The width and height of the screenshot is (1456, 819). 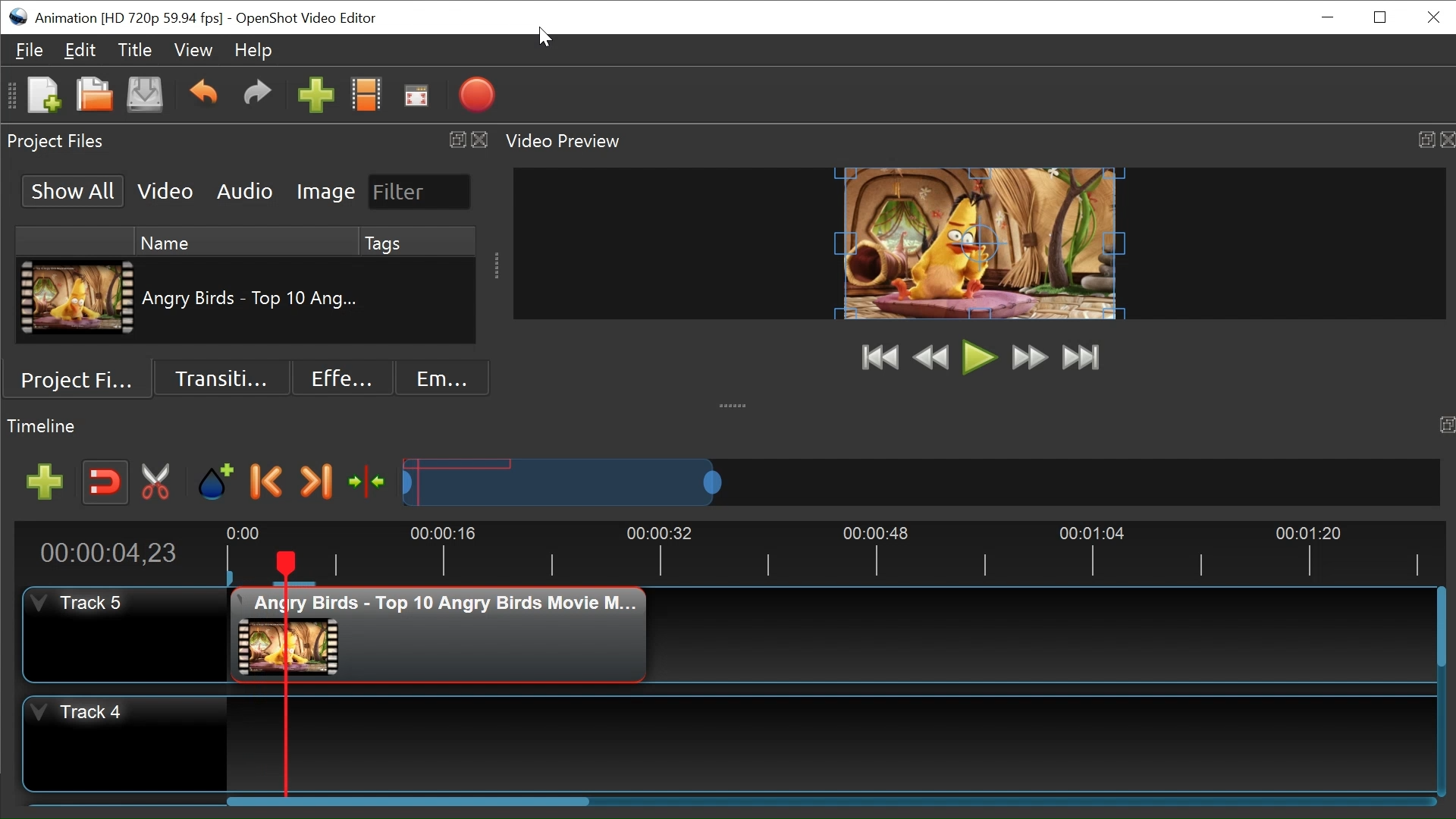 What do you see at coordinates (318, 482) in the screenshot?
I see `Next Marker` at bounding box center [318, 482].